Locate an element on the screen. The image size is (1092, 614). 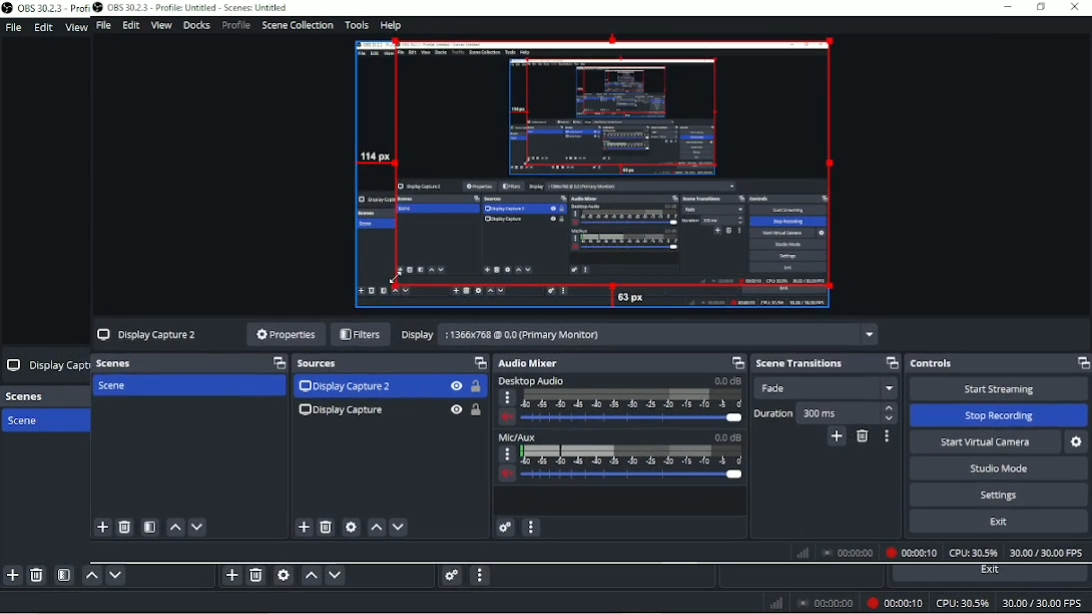
Mic/Aux is located at coordinates (519, 438).